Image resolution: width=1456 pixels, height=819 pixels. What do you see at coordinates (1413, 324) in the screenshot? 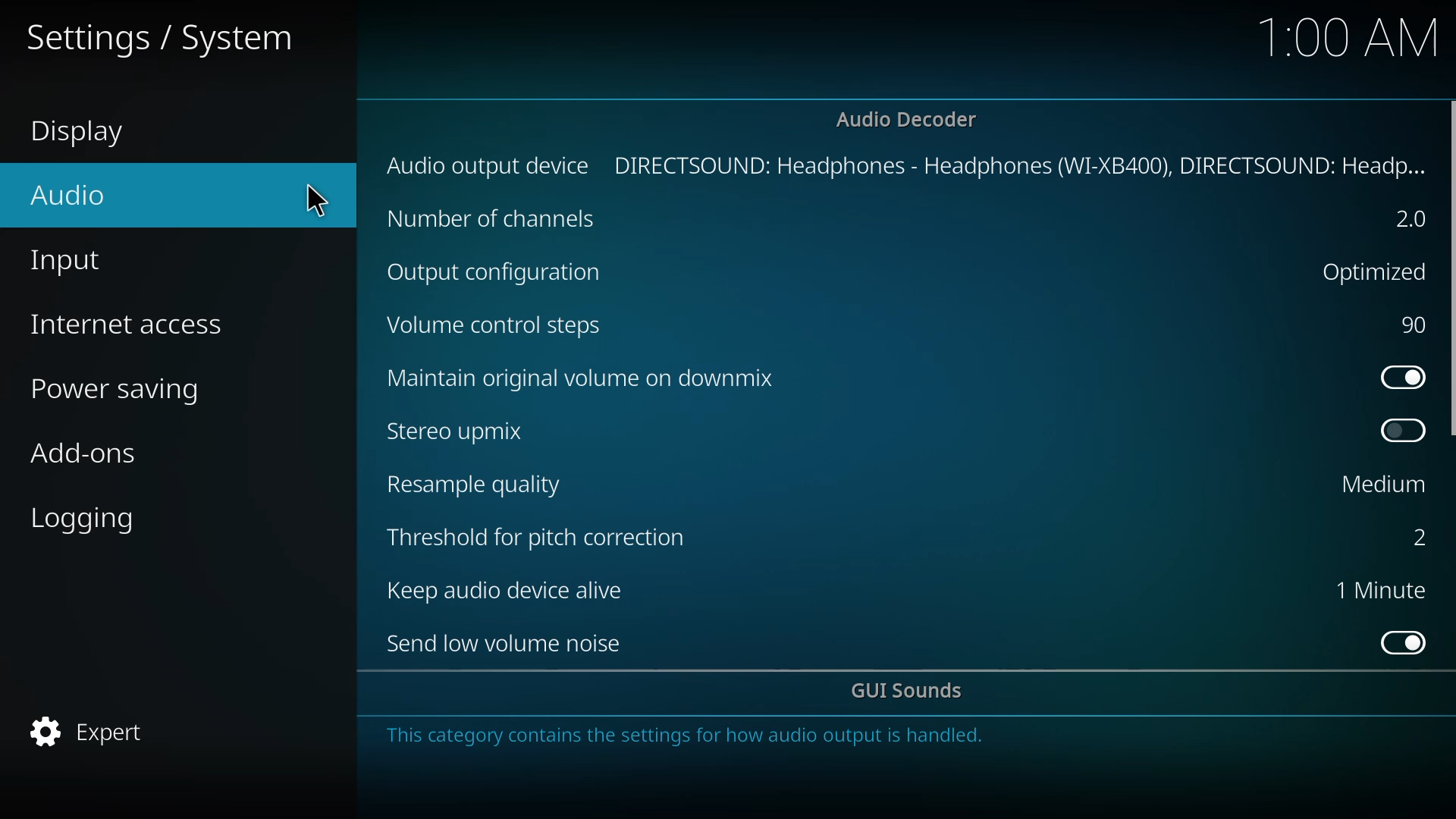
I see `90` at bounding box center [1413, 324].